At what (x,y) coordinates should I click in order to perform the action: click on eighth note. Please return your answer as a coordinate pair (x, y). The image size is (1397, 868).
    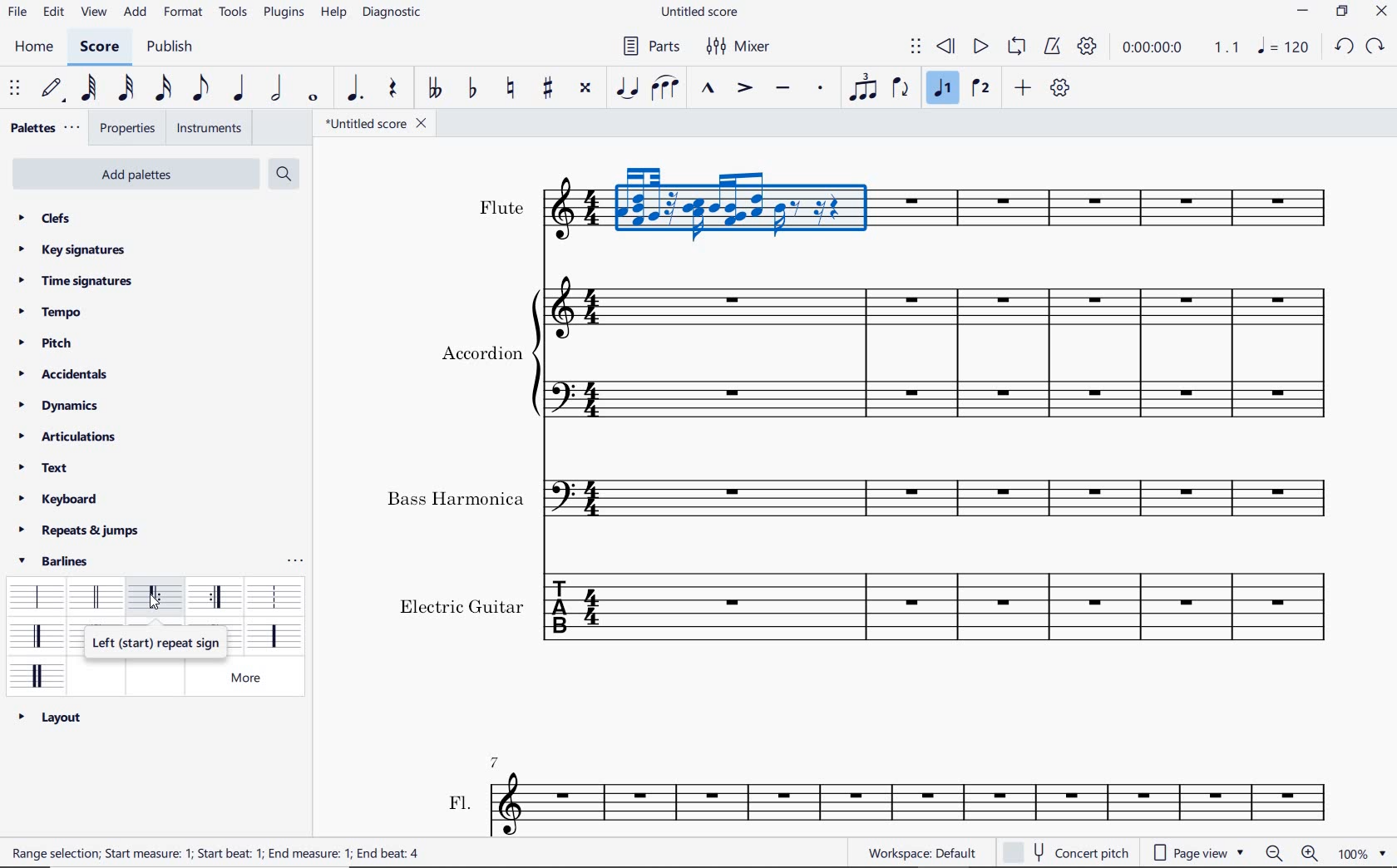
    Looking at the image, I should click on (199, 88).